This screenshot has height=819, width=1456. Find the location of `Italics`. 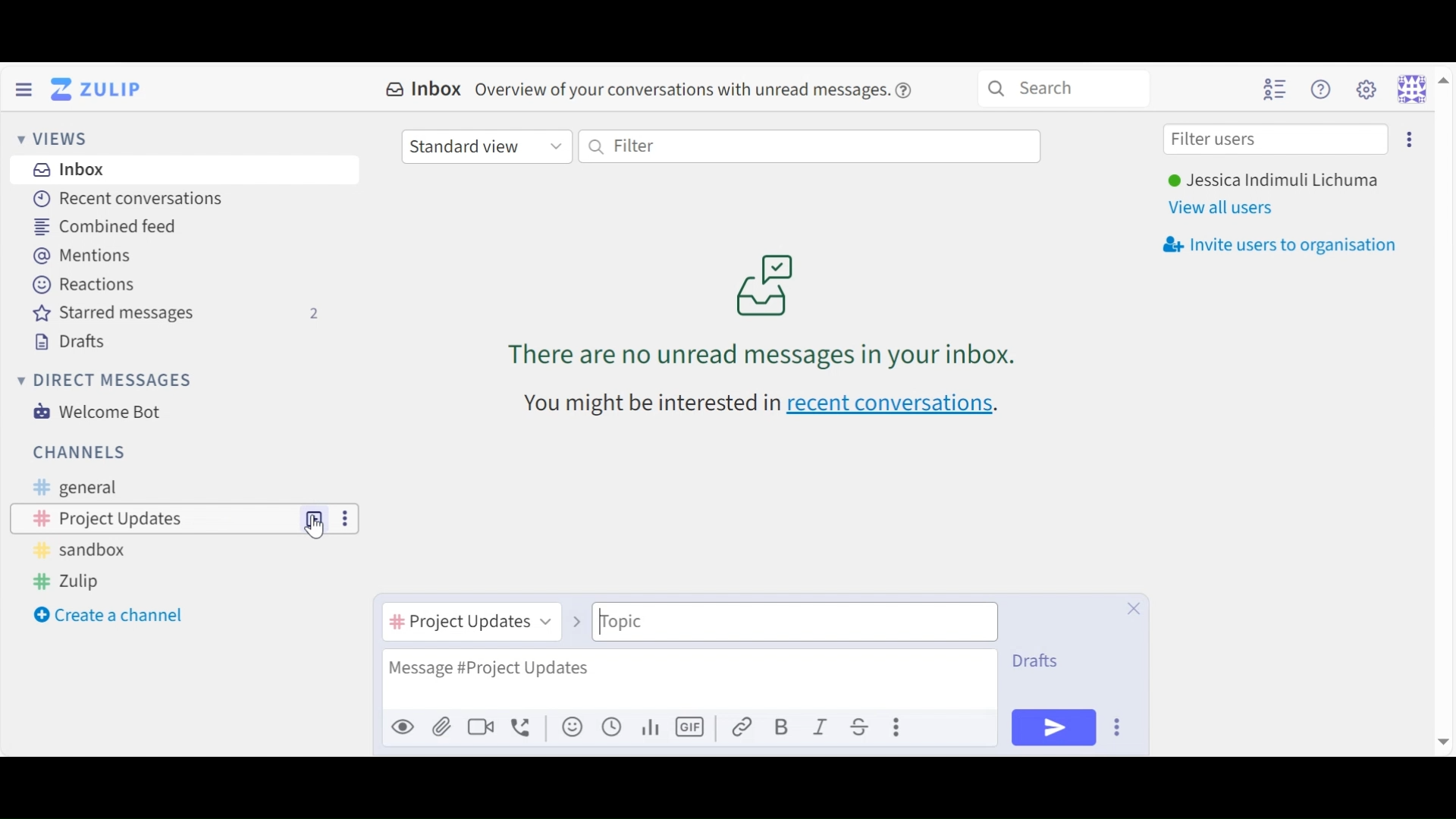

Italics is located at coordinates (821, 726).